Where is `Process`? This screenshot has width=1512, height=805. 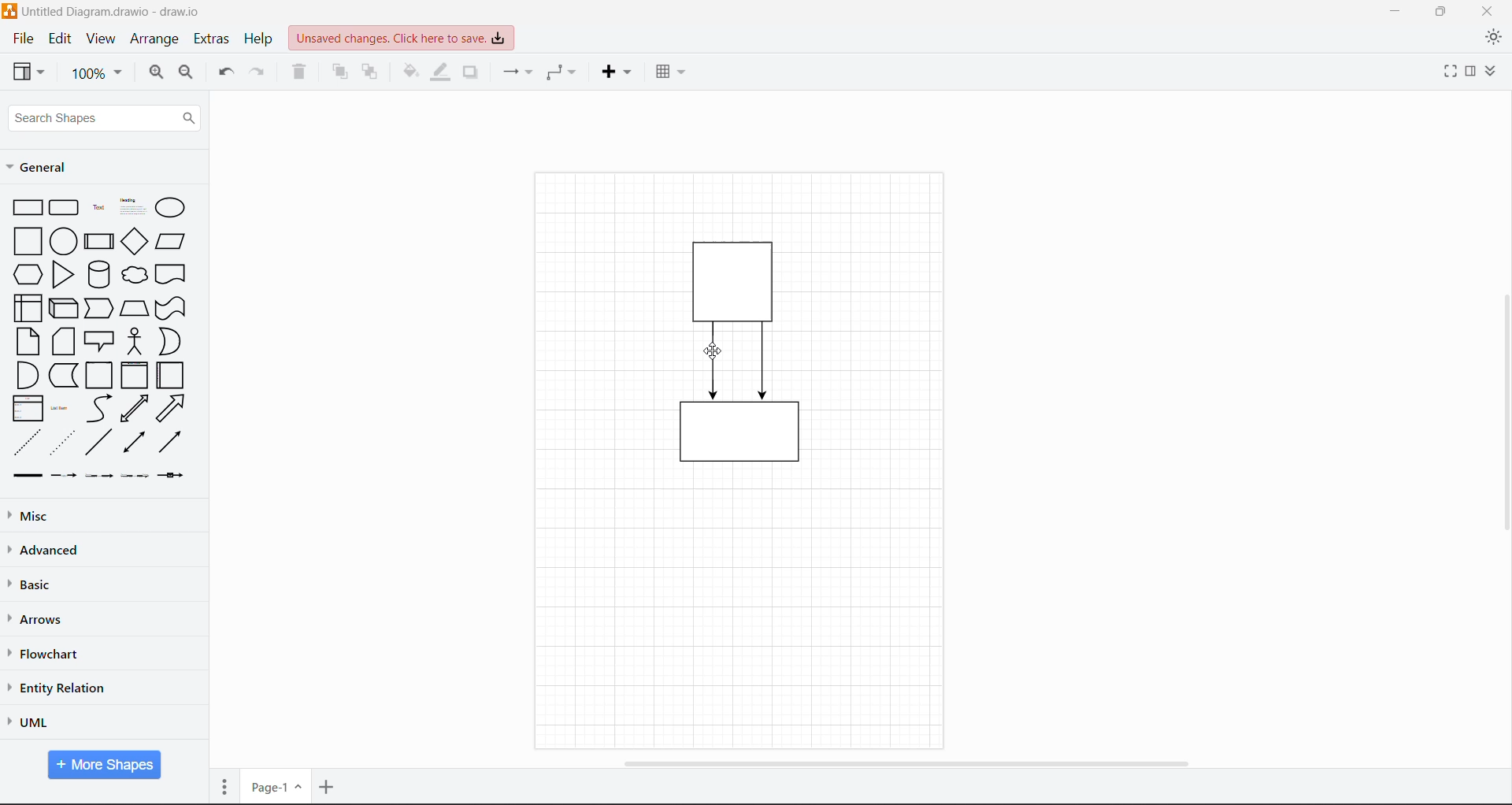
Process is located at coordinates (98, 239).